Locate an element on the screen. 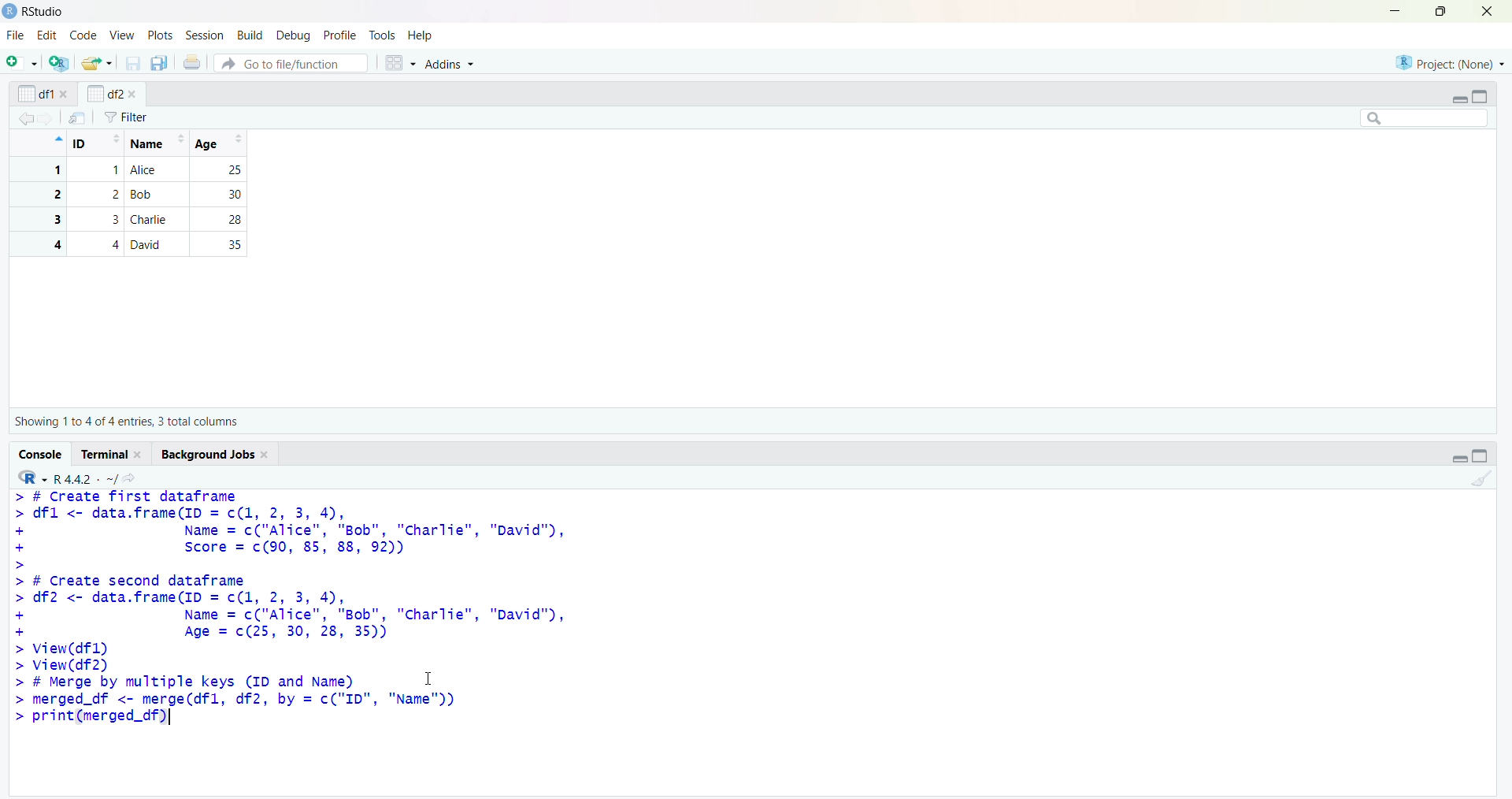  Console is located at coordinates (42, 455).